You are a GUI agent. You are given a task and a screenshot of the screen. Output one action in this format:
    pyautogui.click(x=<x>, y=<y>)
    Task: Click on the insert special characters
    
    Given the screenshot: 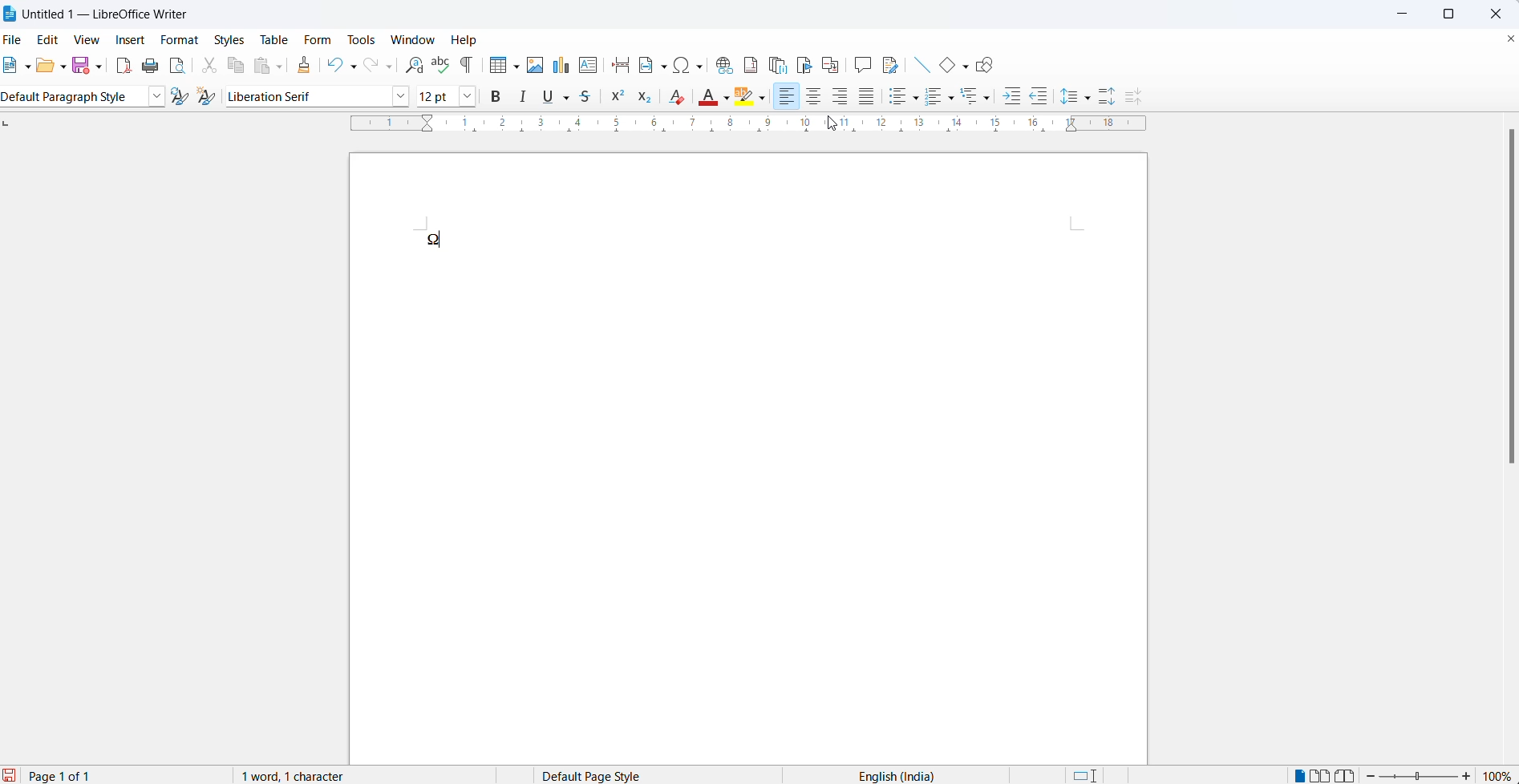 What is the action you would take?
    pyautogui.click(x=687, y=64)
    